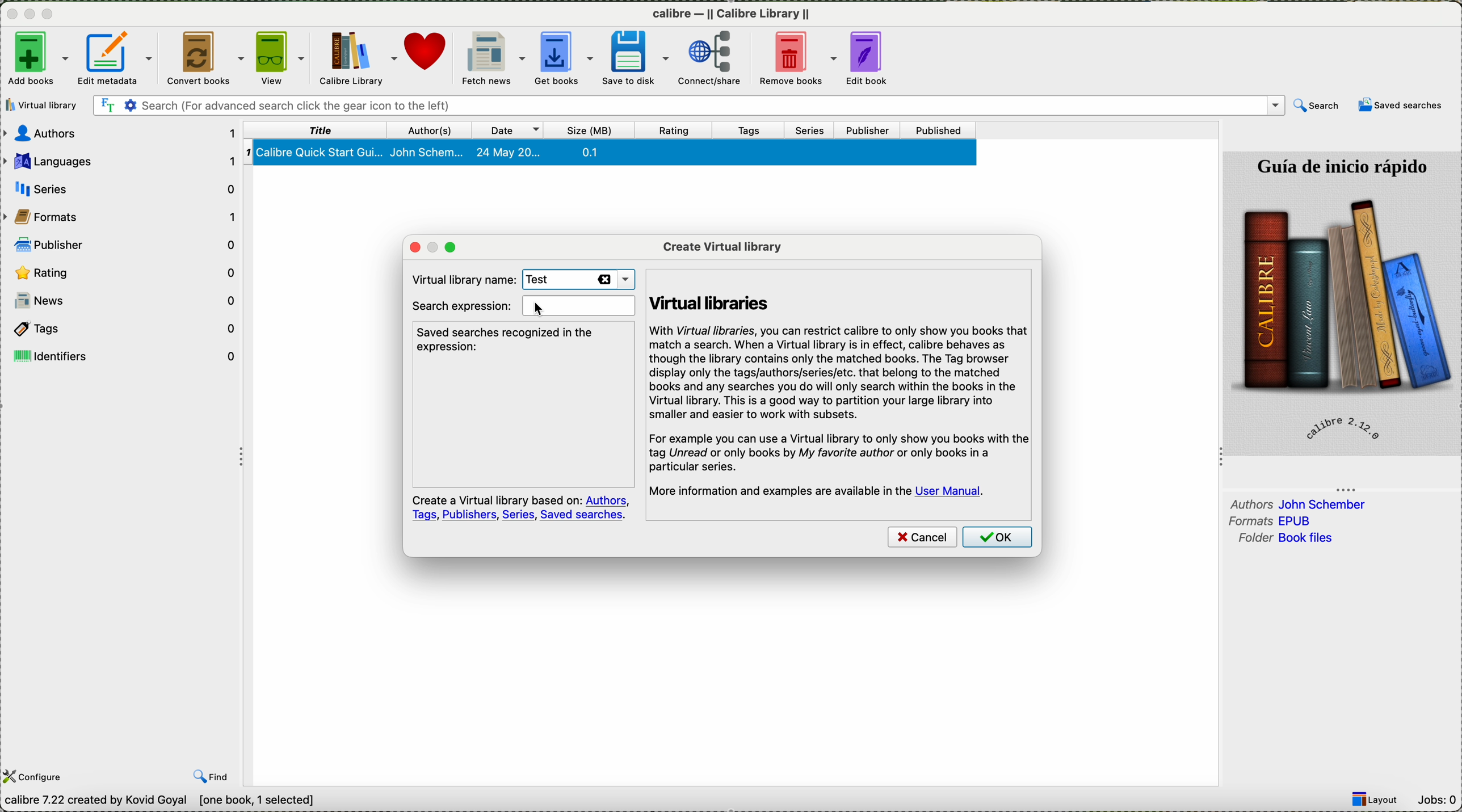 This screenshot has height=812, width=1462. Describe the element at coordinates (674, 130) in the screenshot. I see `rating` at that location.